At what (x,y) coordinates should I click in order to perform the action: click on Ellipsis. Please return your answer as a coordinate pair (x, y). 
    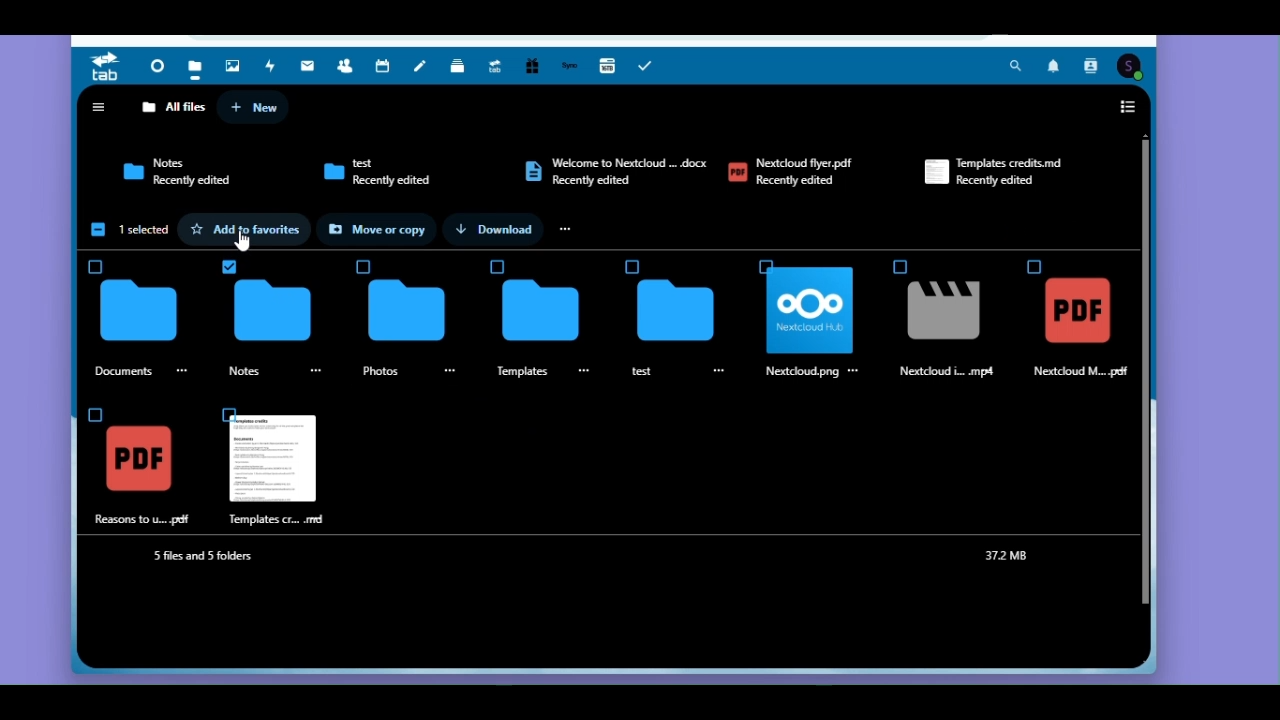
    Looking at the image, I should click on (570, 229).